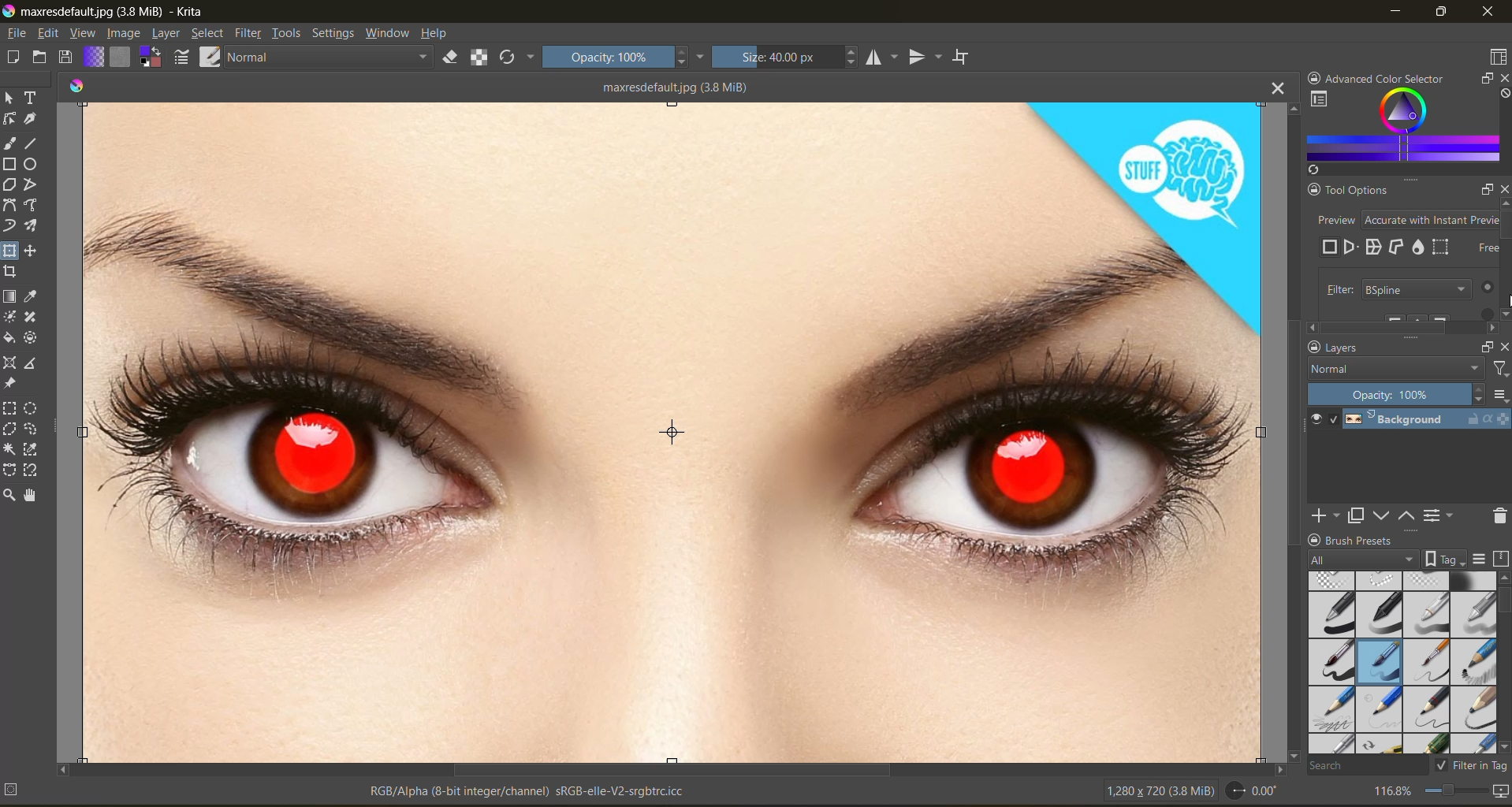 The image size is (1512, 807). What do you see at coordinates (209, 57) in the screenshot?
I see `choose brush preset` at bounding box center [209, 57].